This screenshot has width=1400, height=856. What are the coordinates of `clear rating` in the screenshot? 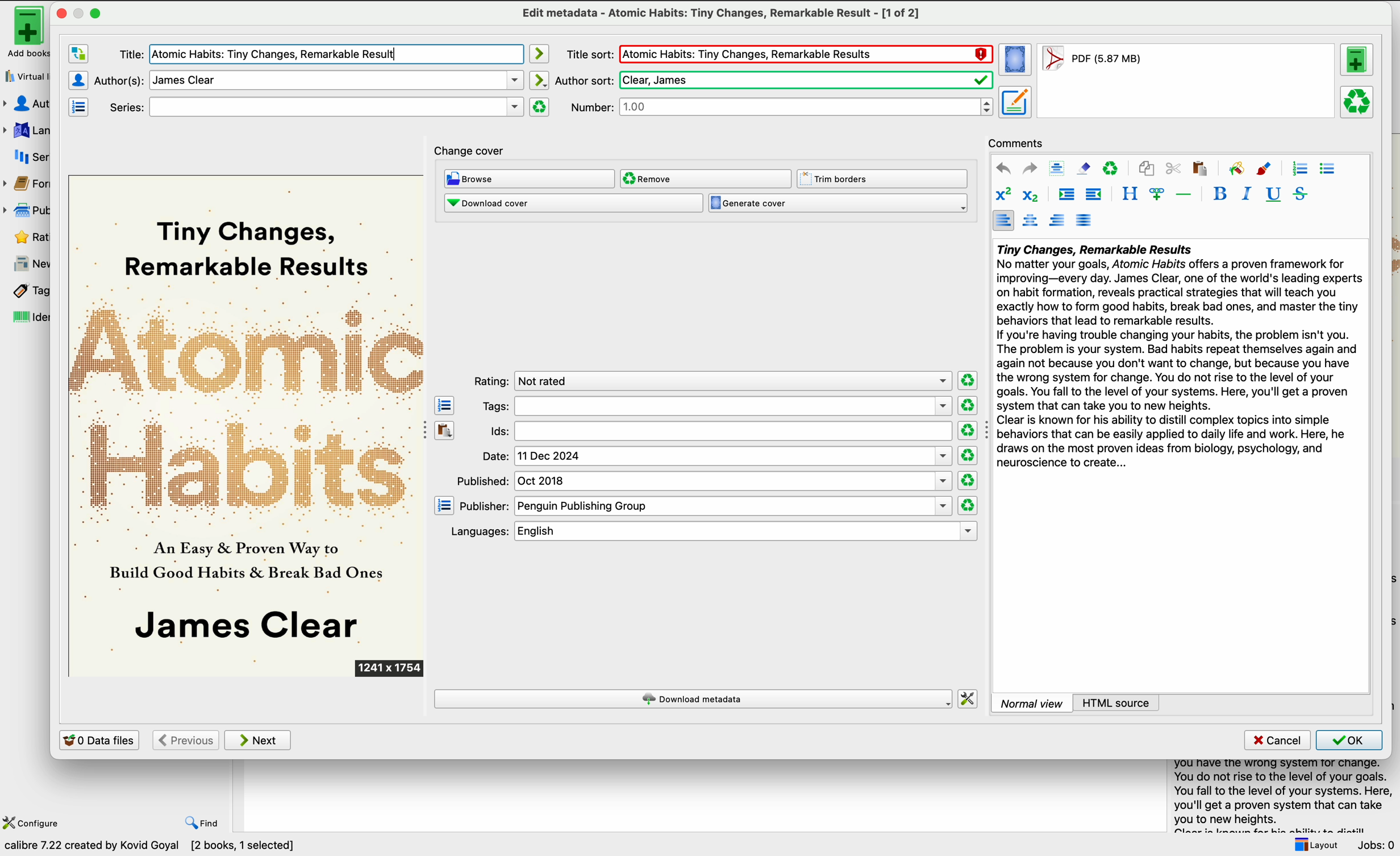 It's located at (966, 405).